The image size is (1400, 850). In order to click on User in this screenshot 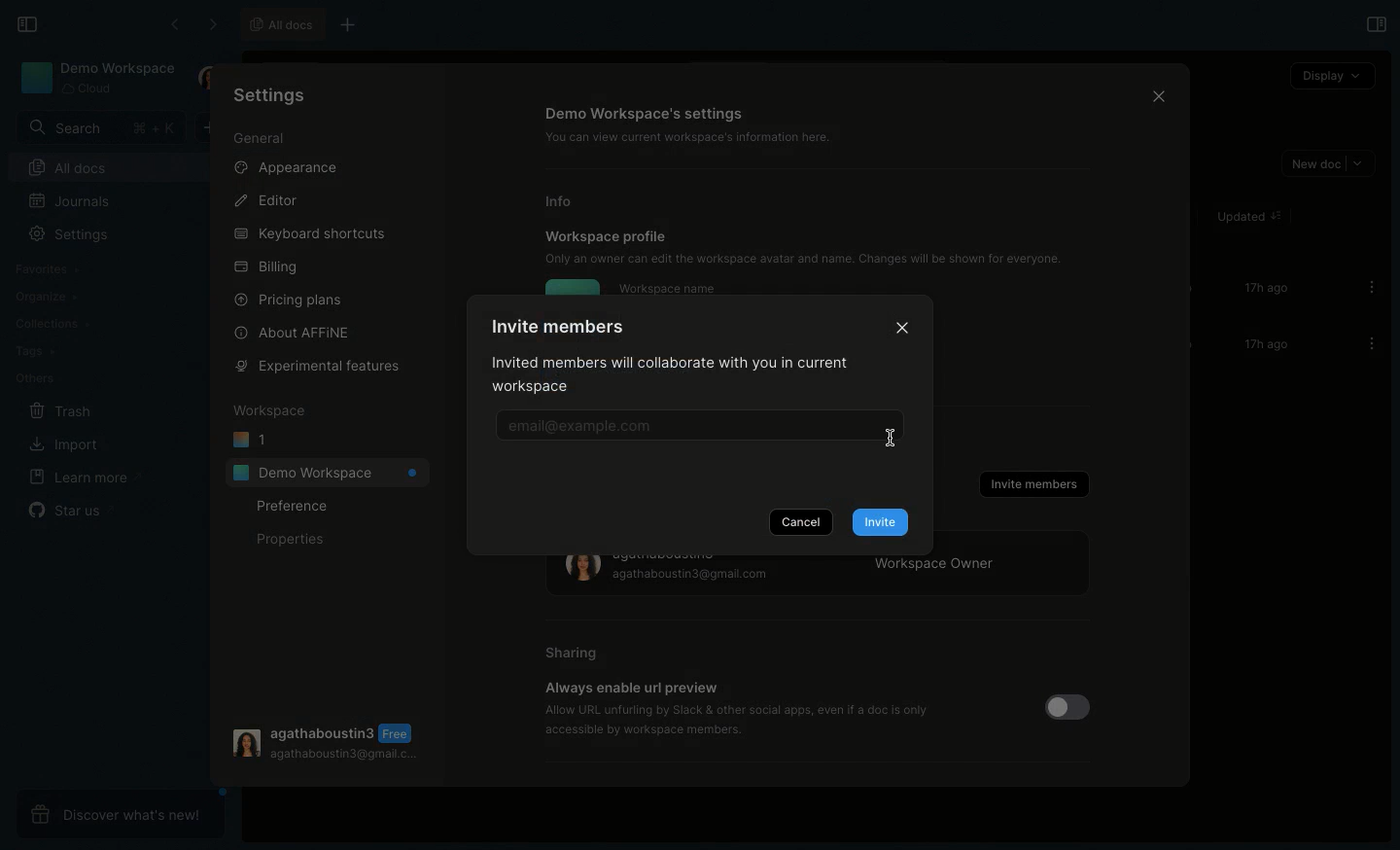, I will do `click(326, 741)`.